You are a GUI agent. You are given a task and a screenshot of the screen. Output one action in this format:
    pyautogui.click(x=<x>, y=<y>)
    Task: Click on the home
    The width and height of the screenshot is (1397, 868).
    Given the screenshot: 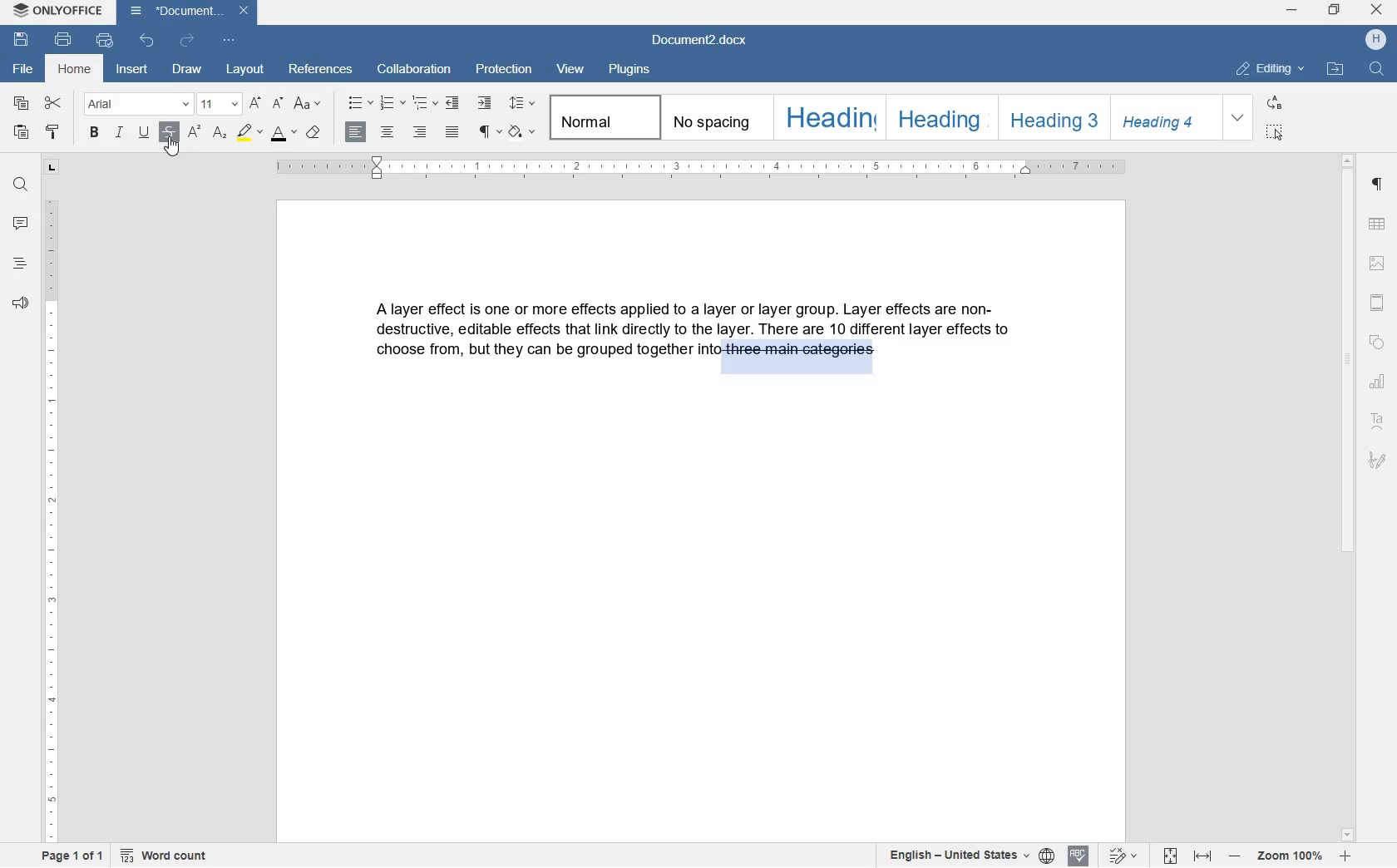 What is the action you would take?
    pyautogui.click(x=76, y=71)
    